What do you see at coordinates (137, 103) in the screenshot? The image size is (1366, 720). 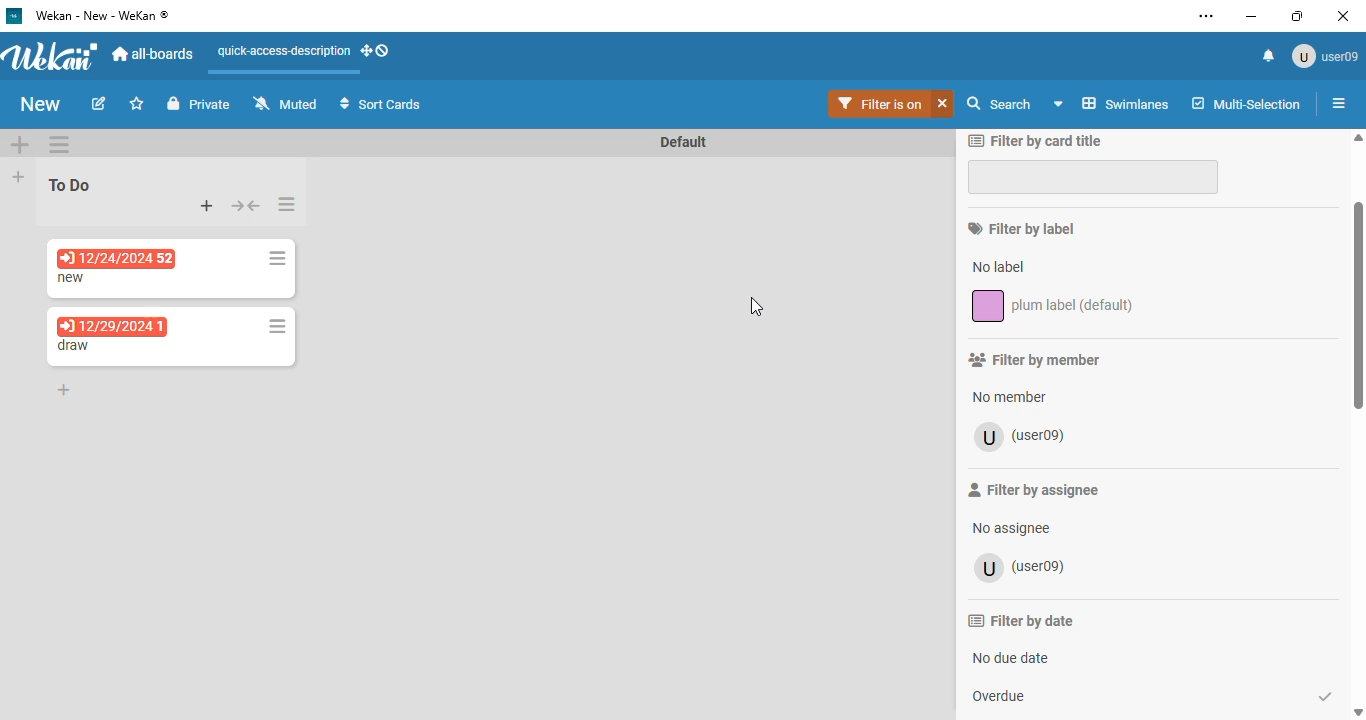 I see `click to star this board` at bounding box center [137, 103].